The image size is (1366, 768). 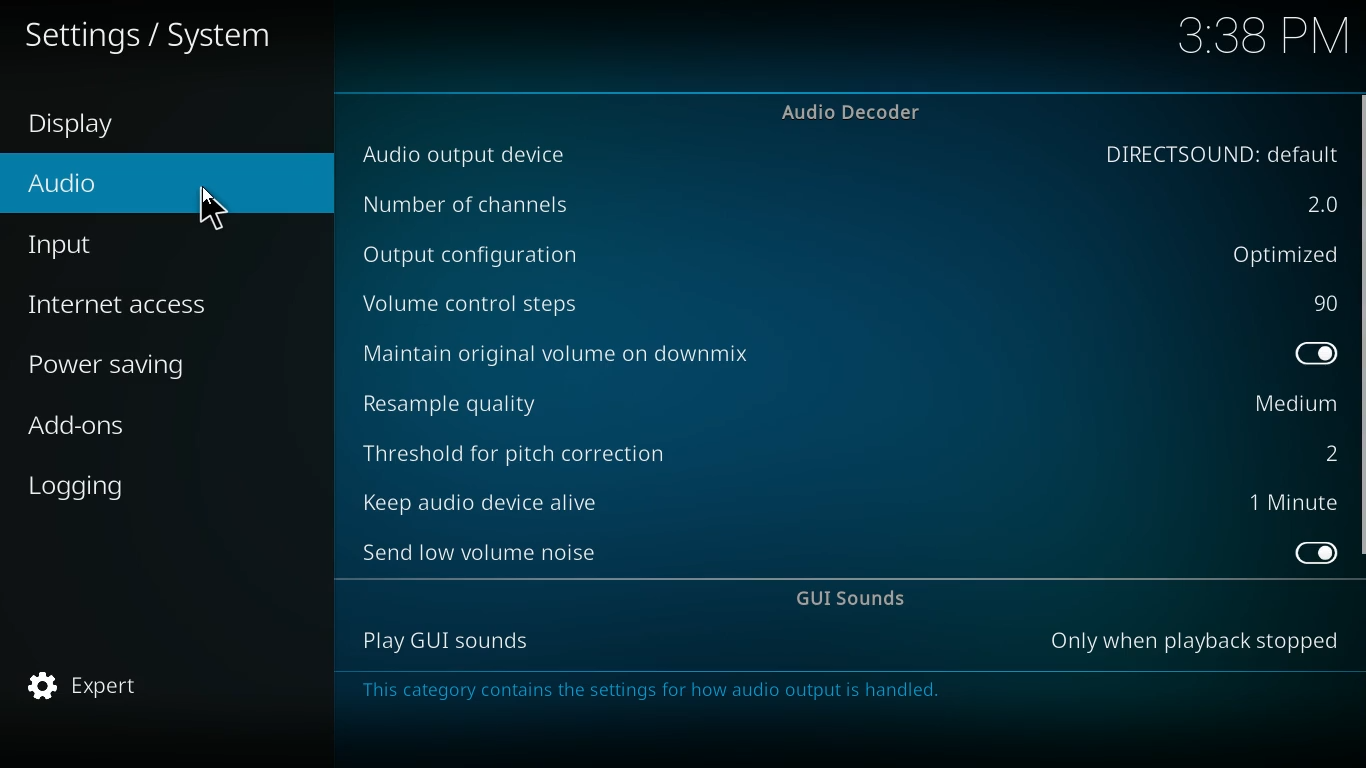 I want to click on expert, so click(x=114, y=687).